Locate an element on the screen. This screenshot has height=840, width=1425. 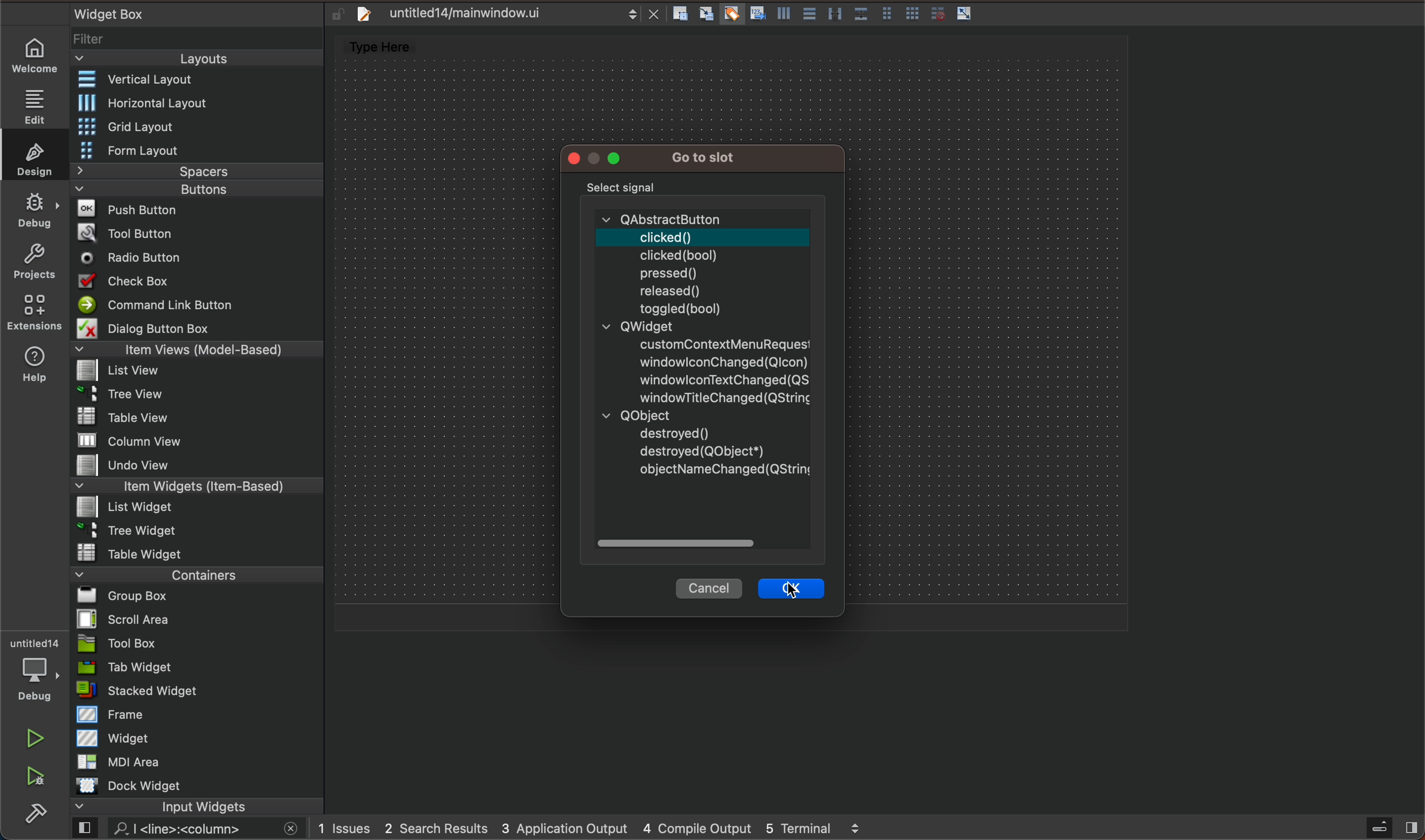
tool box is located at coordinates (200, 644).